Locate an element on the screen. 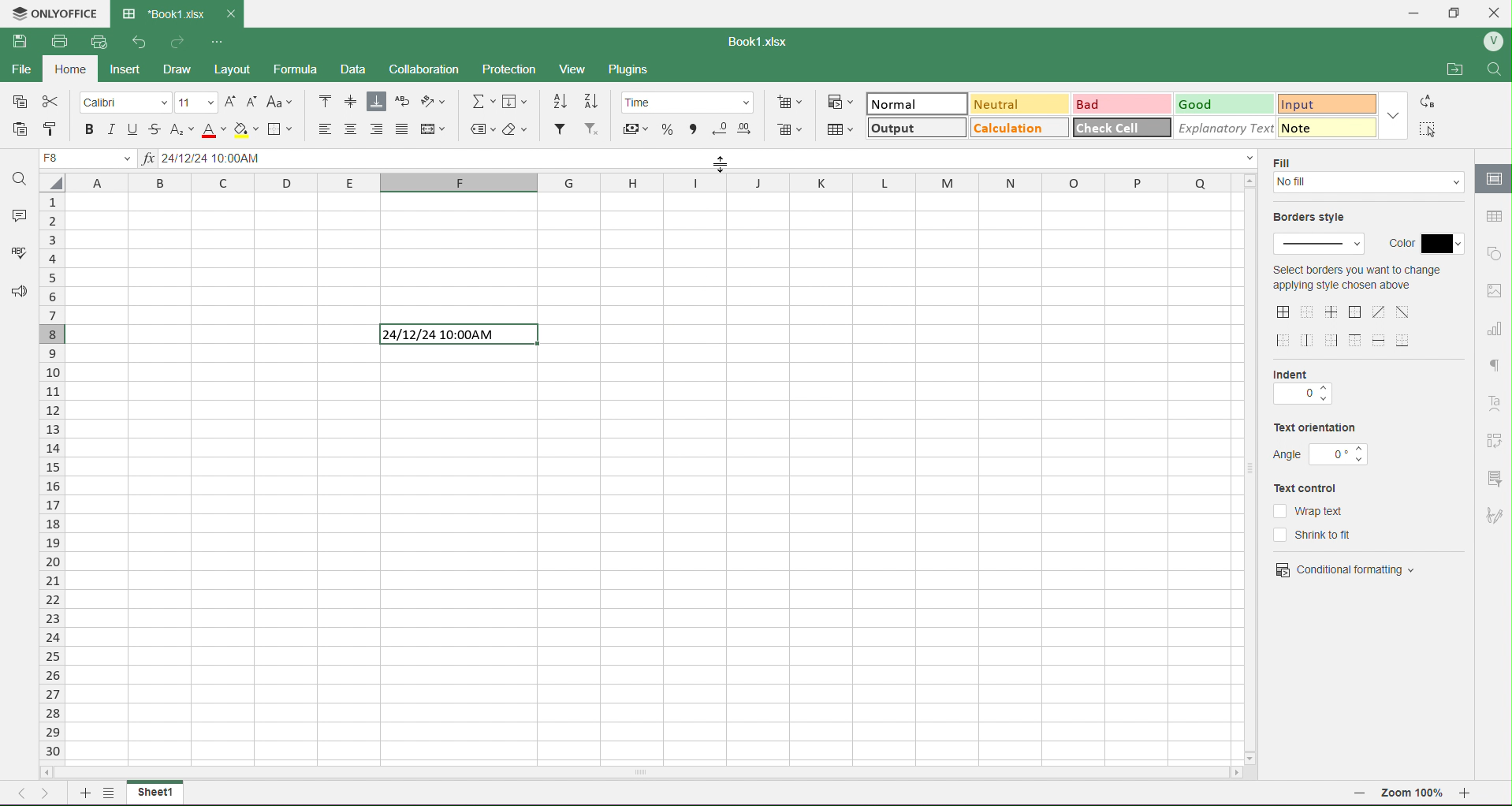 This screenshot has height=806, width=1512. Book1.xlsx is located at coordinates (763, 39).